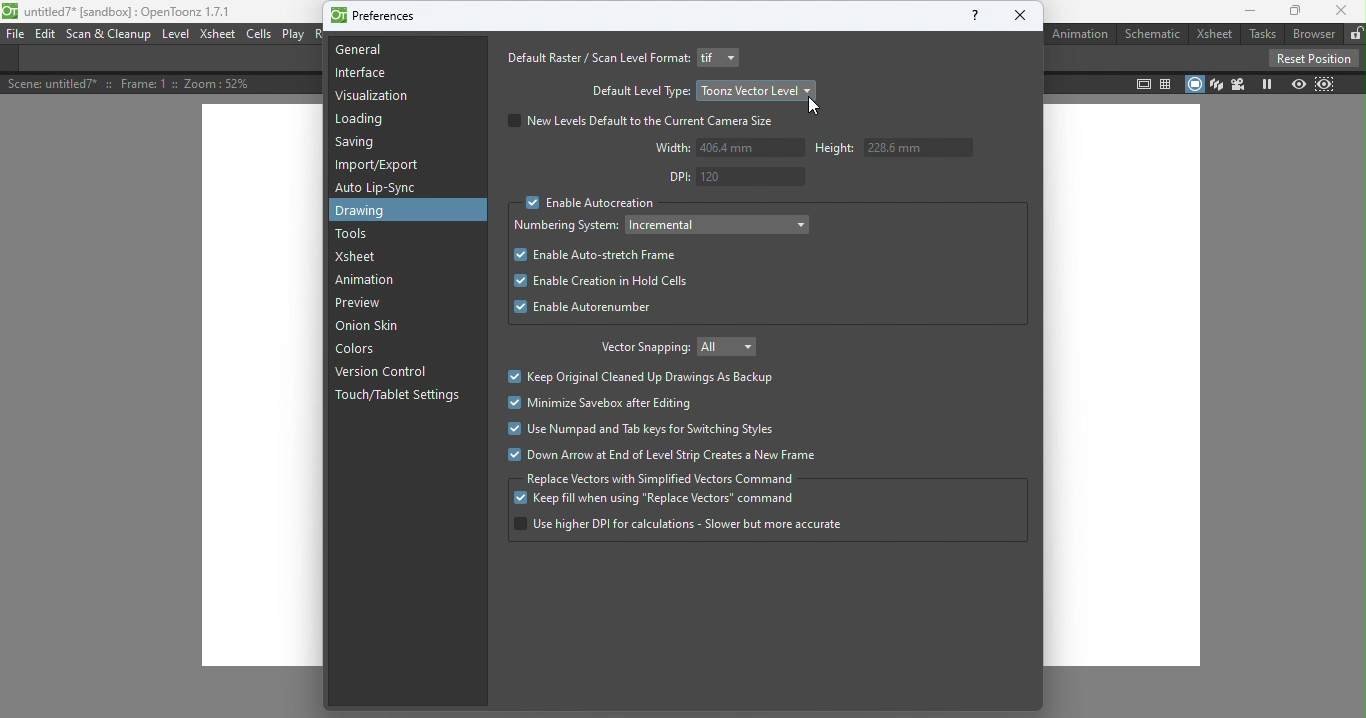 The width and height of the screenshot is (1366, 718). I want to click on Animation, so click(370, 282).